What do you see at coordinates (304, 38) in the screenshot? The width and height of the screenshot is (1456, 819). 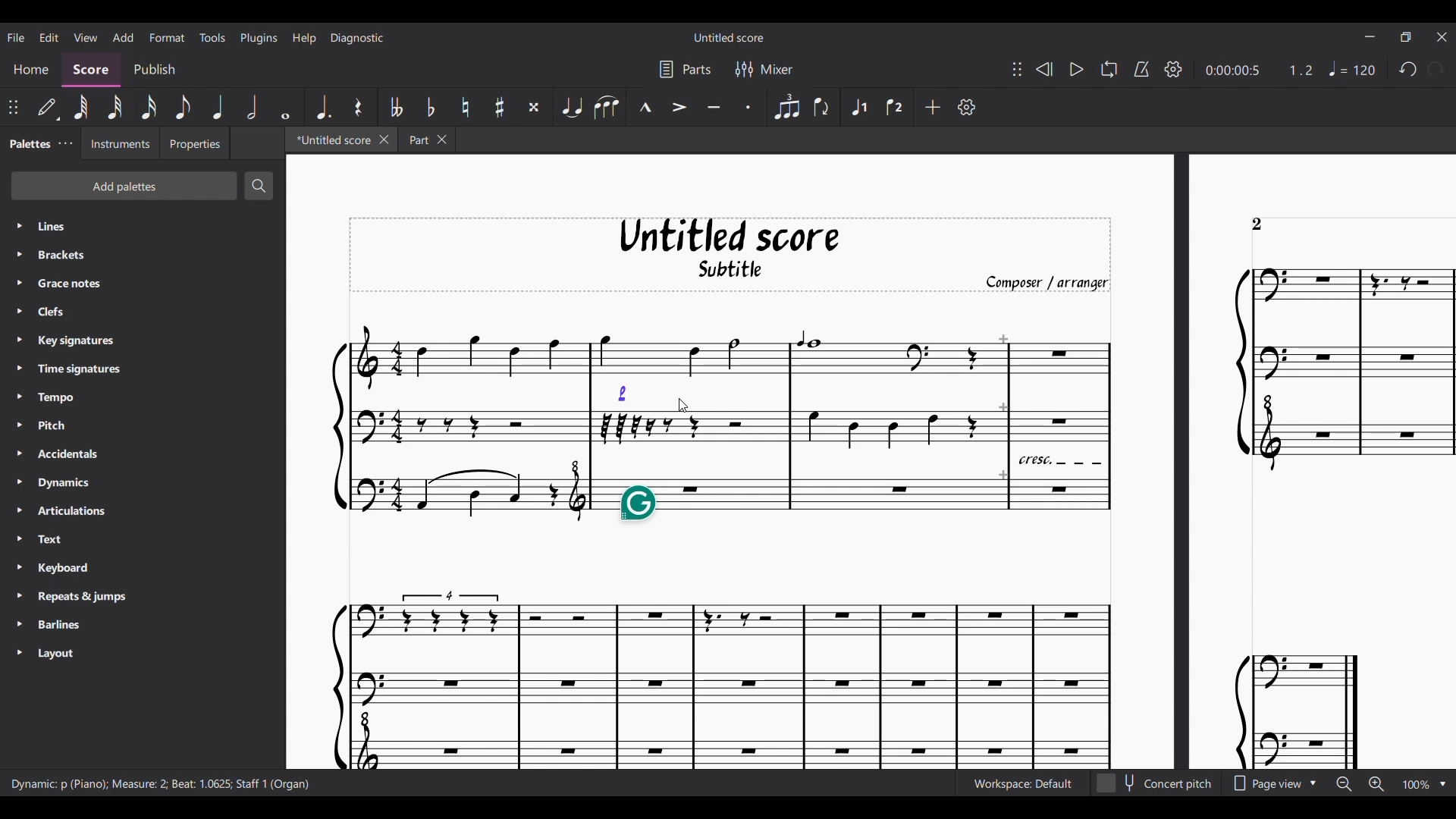 I see `Help menu` at bounding box center [304, 38].